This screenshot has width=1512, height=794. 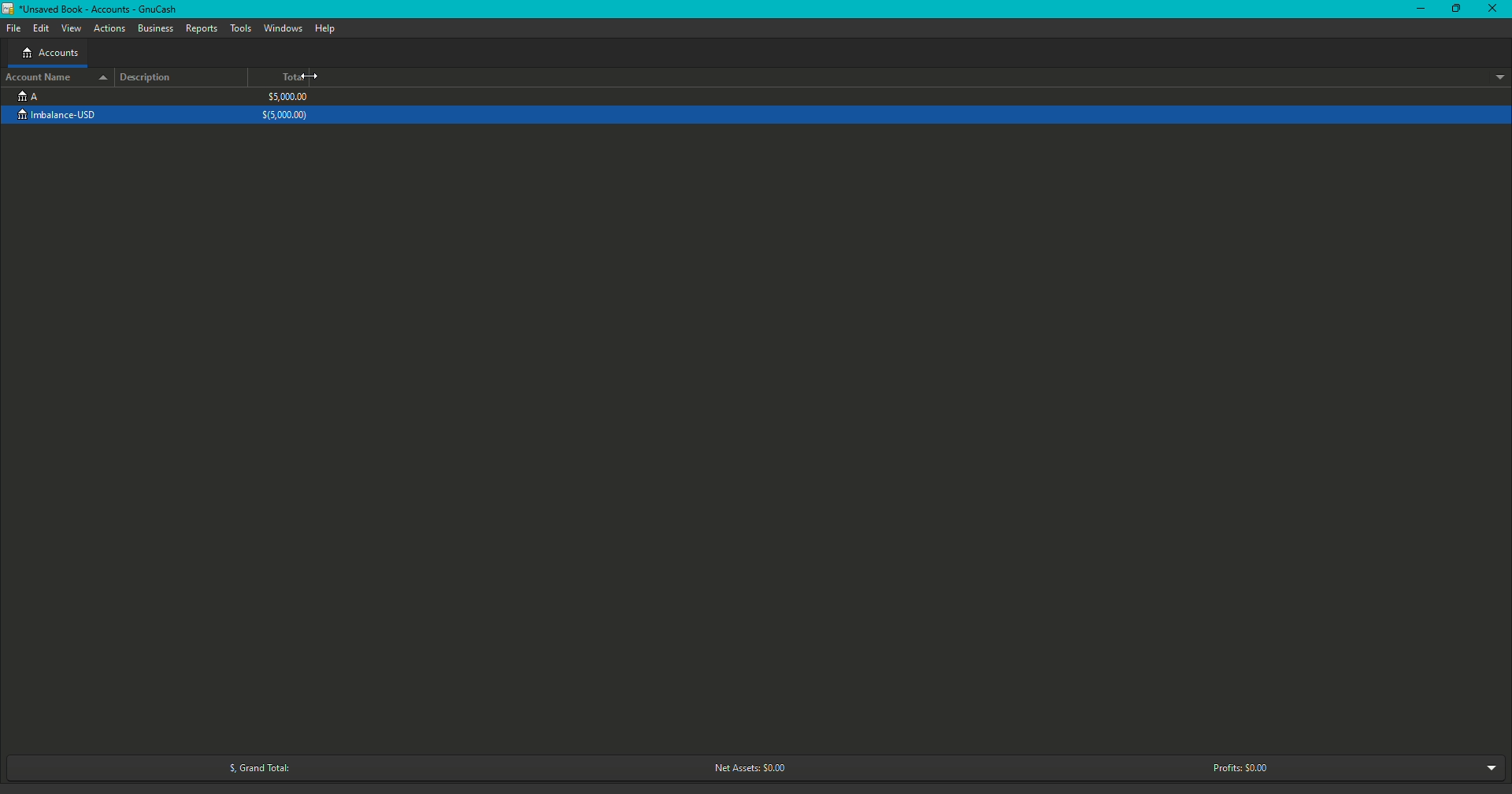 I want to click on Total, so click(x=294, y=78).